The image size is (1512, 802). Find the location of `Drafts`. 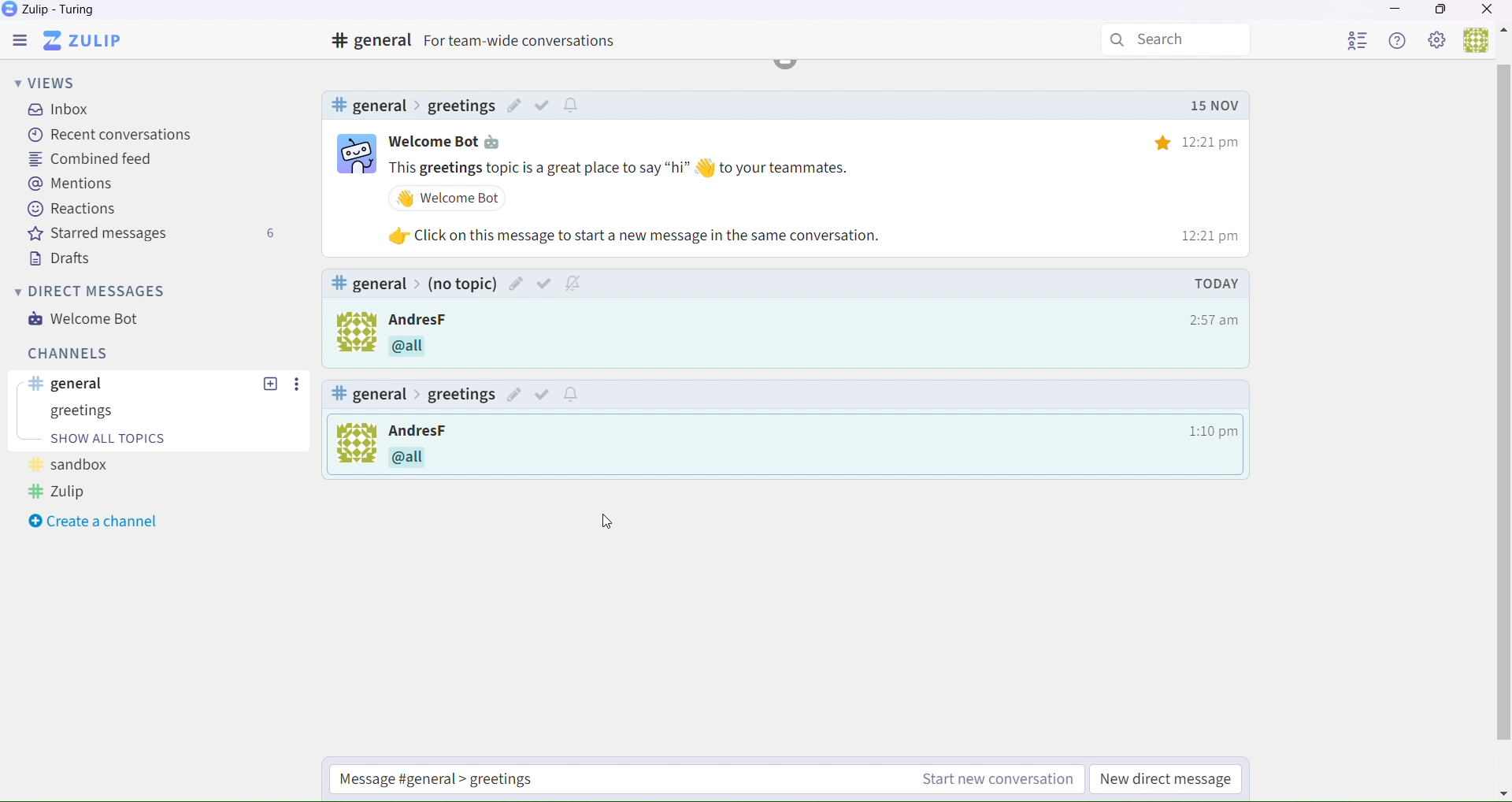

Drafts is located at coordinates (57, 258).